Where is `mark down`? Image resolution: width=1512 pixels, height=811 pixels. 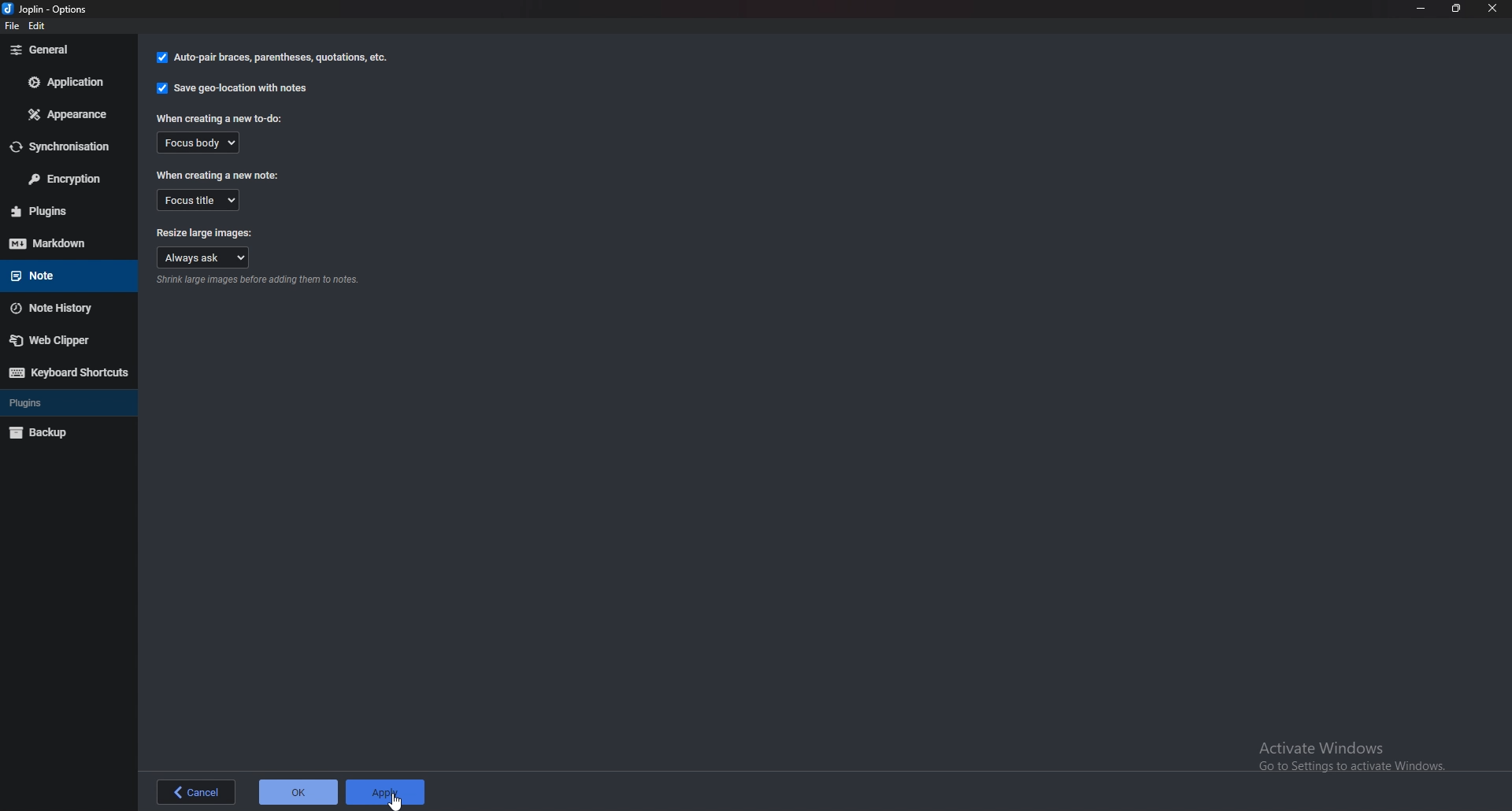
mark down is located at coordinates (66, 243).